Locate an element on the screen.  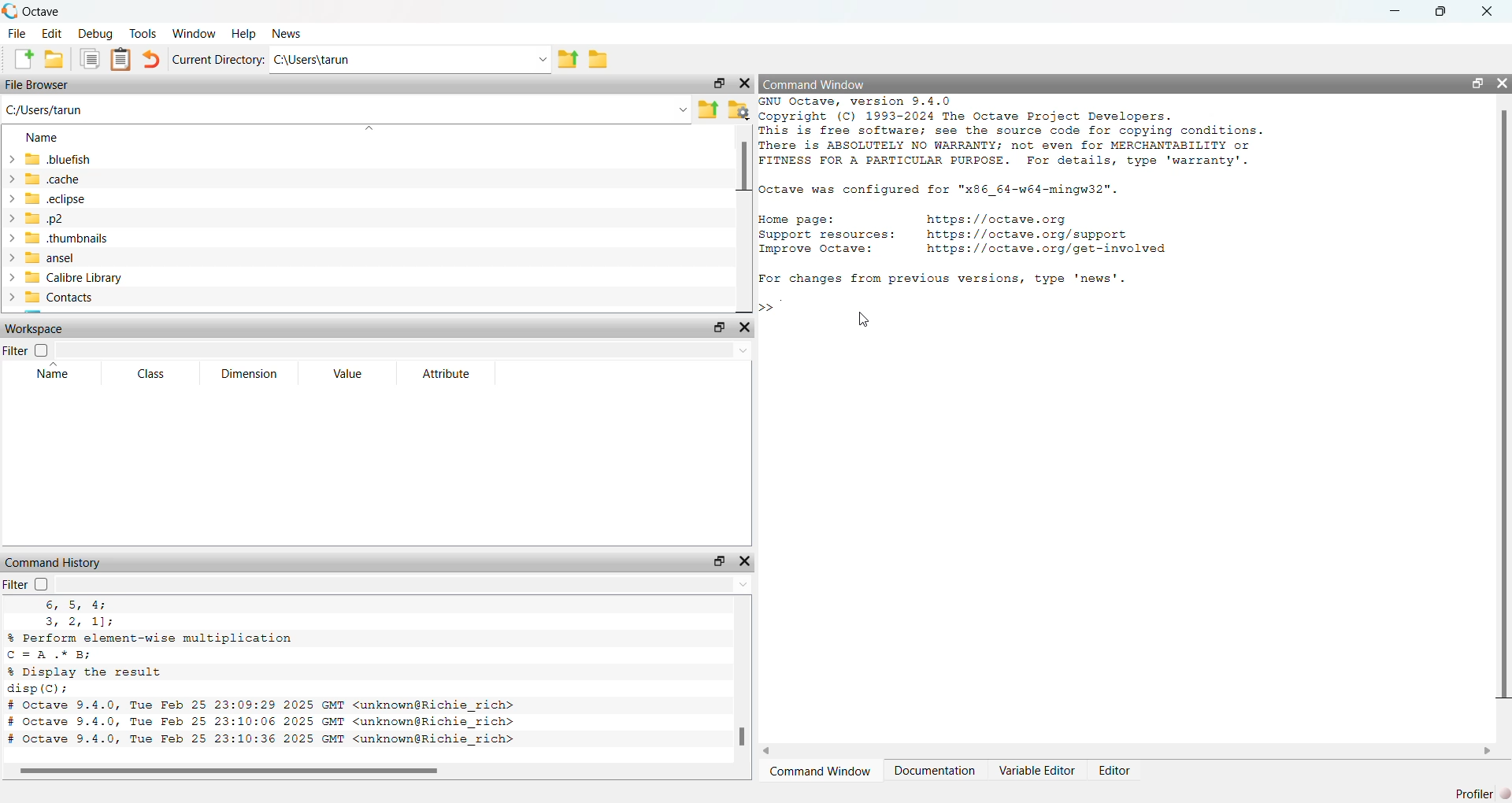
Value is located at coordinates (348, 372).